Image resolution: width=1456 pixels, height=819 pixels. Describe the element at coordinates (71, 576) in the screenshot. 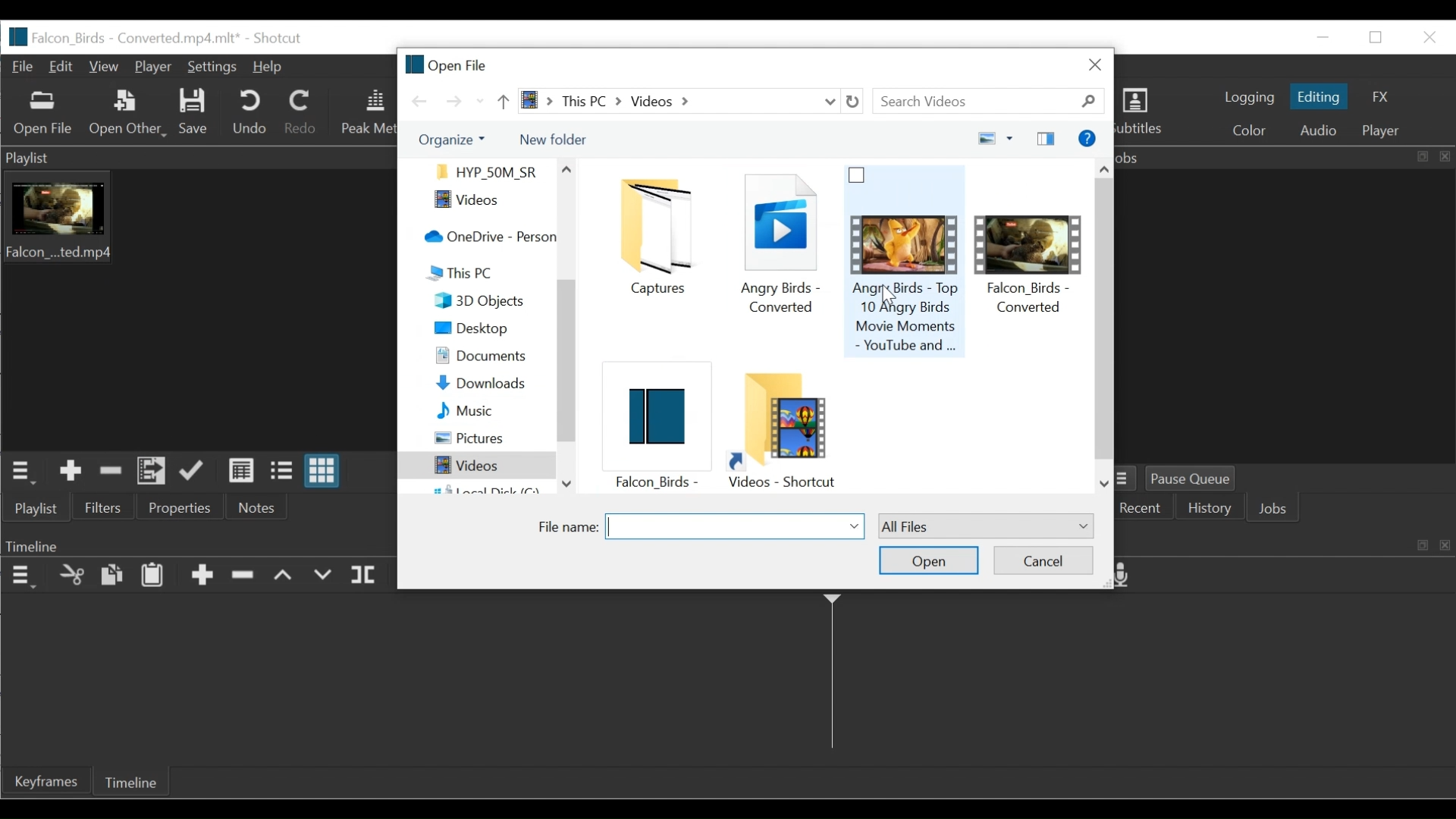

I see `Cut` at that location.